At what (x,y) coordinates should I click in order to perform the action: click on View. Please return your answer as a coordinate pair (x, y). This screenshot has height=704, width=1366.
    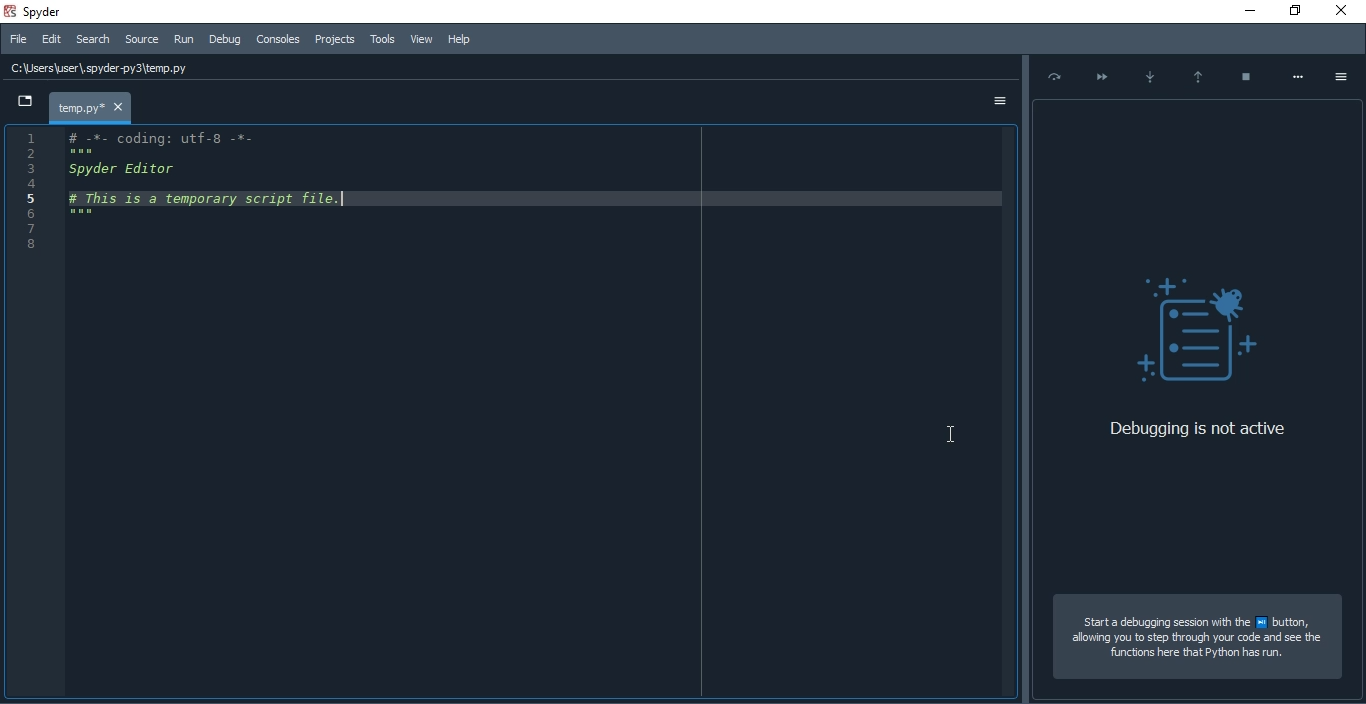
    Looking at the image, I should click on (421, 38).